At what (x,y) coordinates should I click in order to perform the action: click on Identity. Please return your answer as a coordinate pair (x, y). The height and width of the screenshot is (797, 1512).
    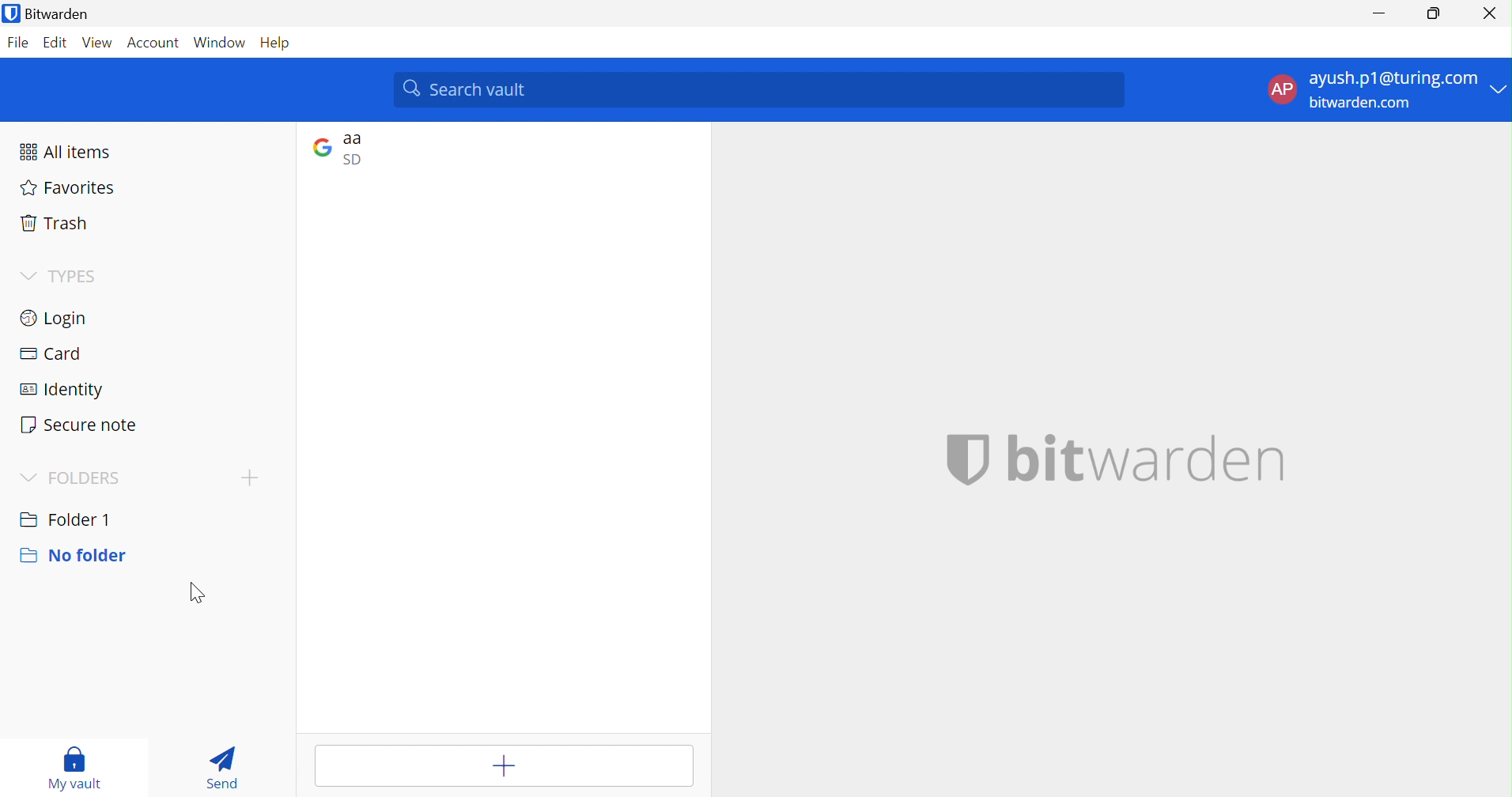
    Looking at the image, I should click on (62, 391).